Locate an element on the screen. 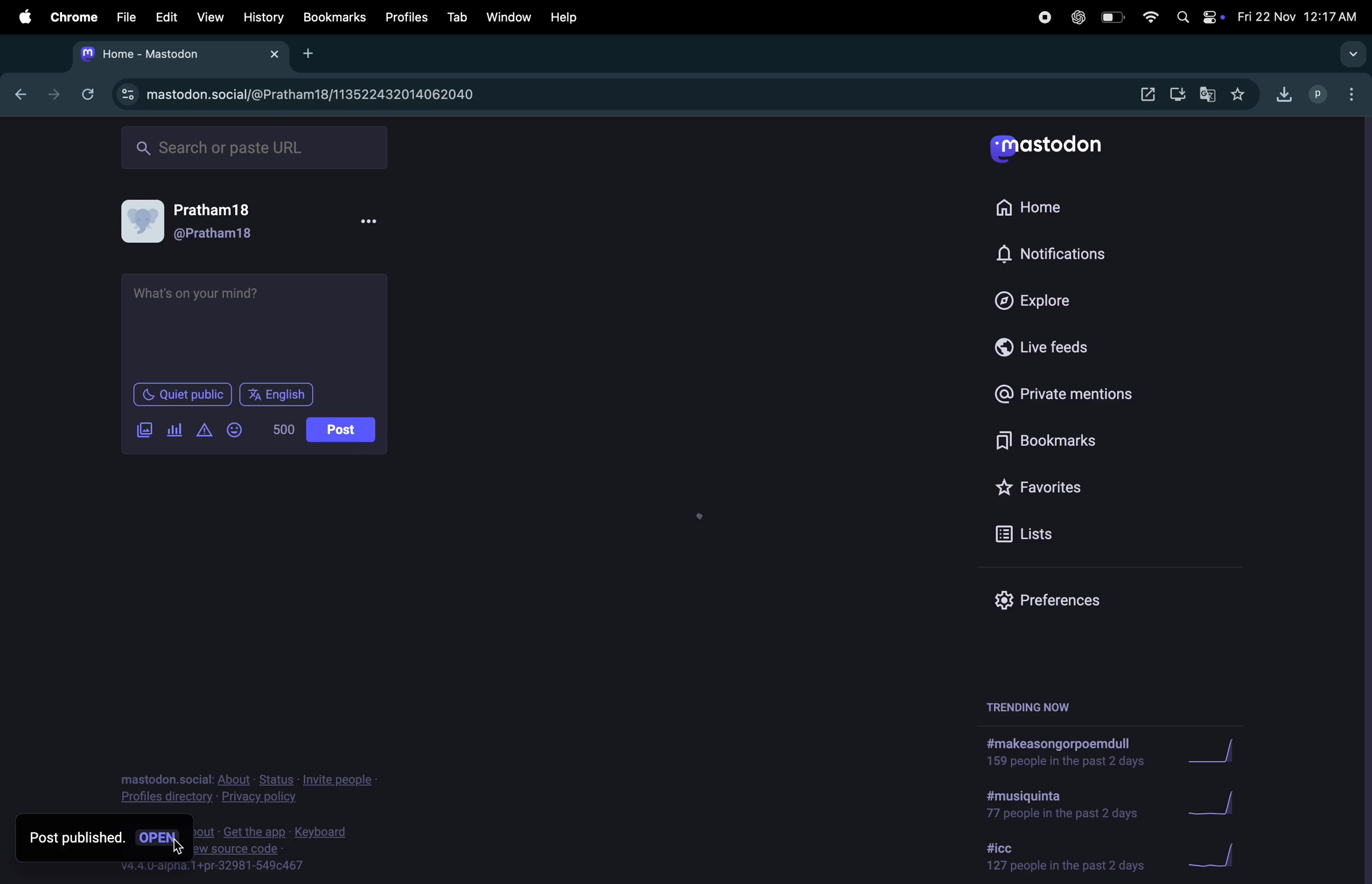 The height and width of the screenshot is (884, 1372). lists is located at coordinates (1045, 530).